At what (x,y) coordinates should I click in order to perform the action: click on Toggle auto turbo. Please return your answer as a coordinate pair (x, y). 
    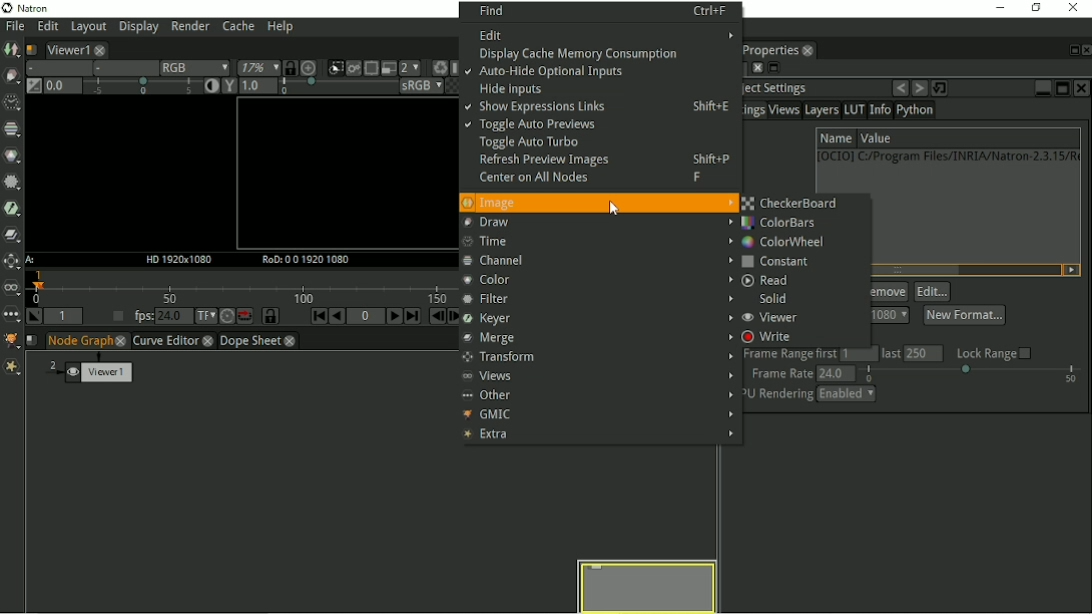
    Looking at the image, I should click on (527, 143).